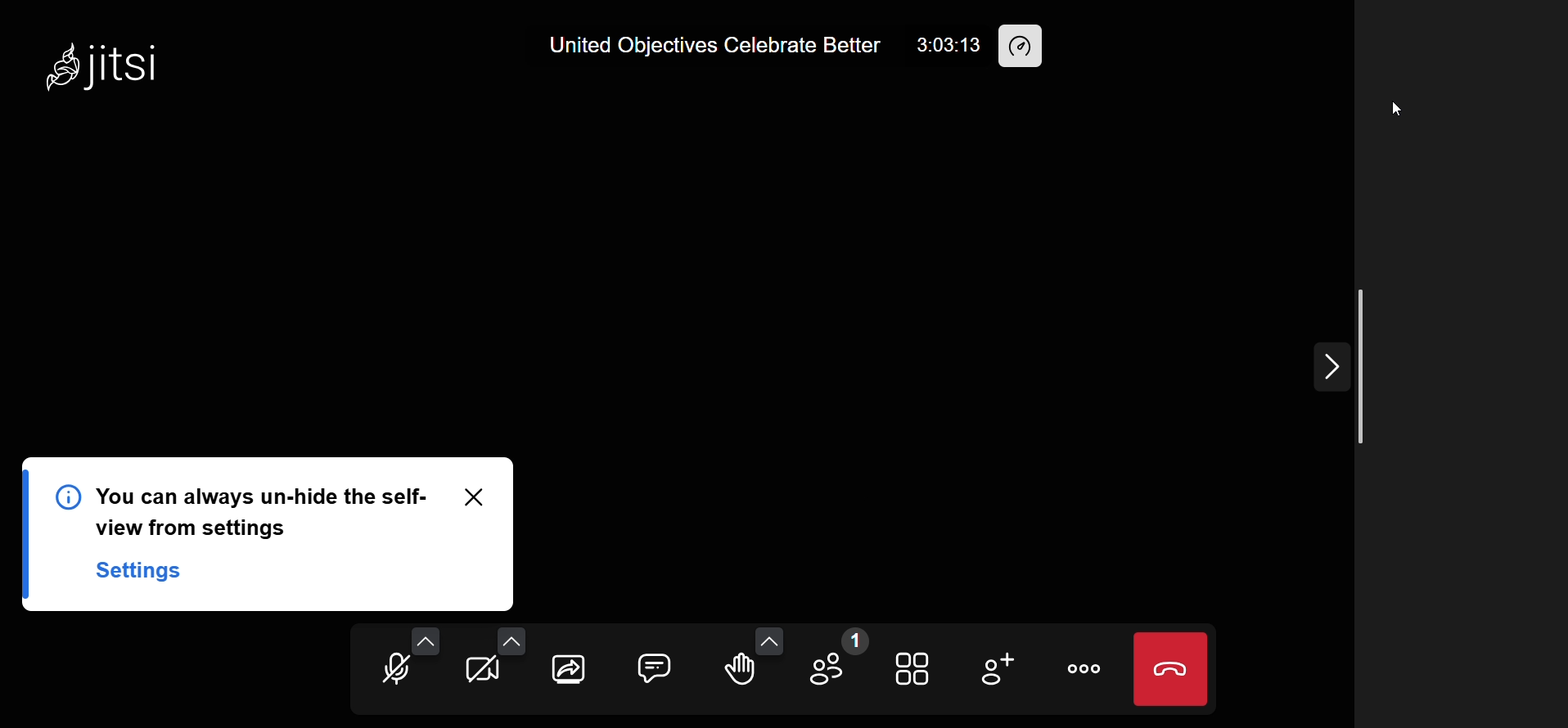 The image size is (1568, 728). Describe the element at coordinates (110, 69) in the screenshot. I see `Jitsi` at that location.